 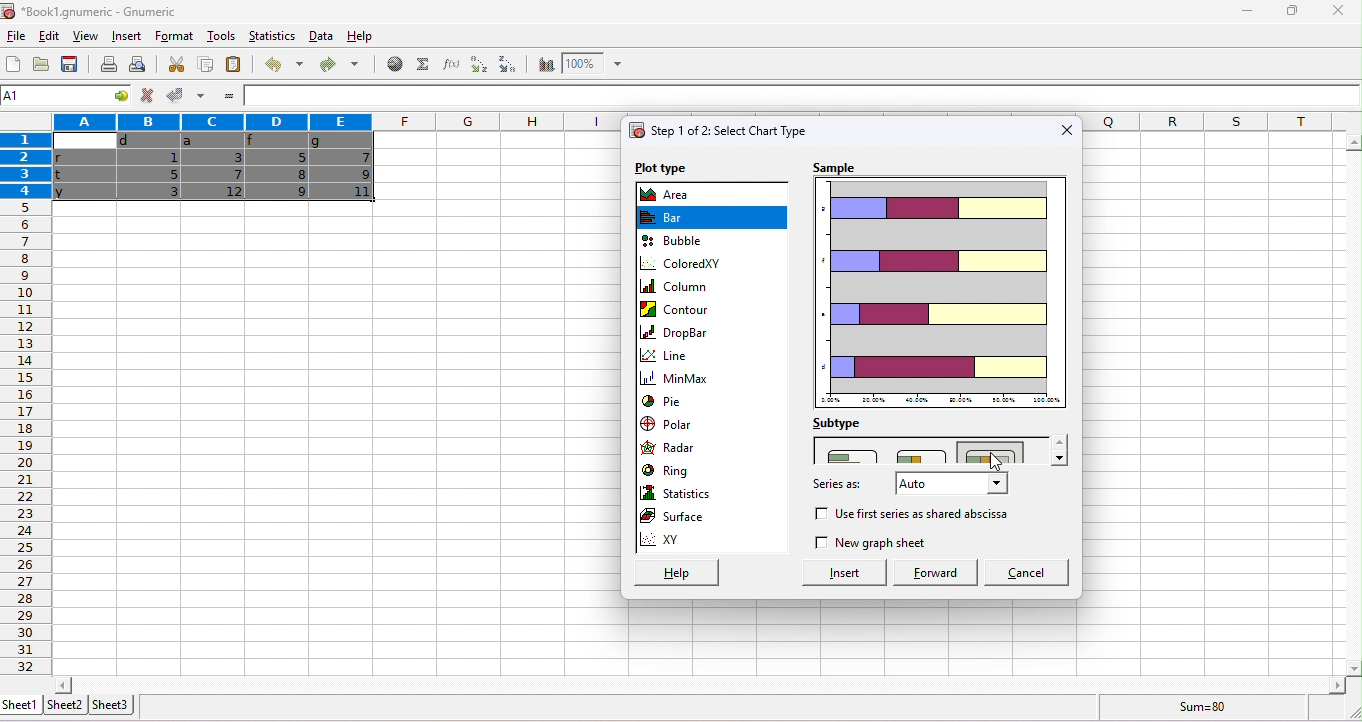 I want to click on bar, so click(x=677, y=216).